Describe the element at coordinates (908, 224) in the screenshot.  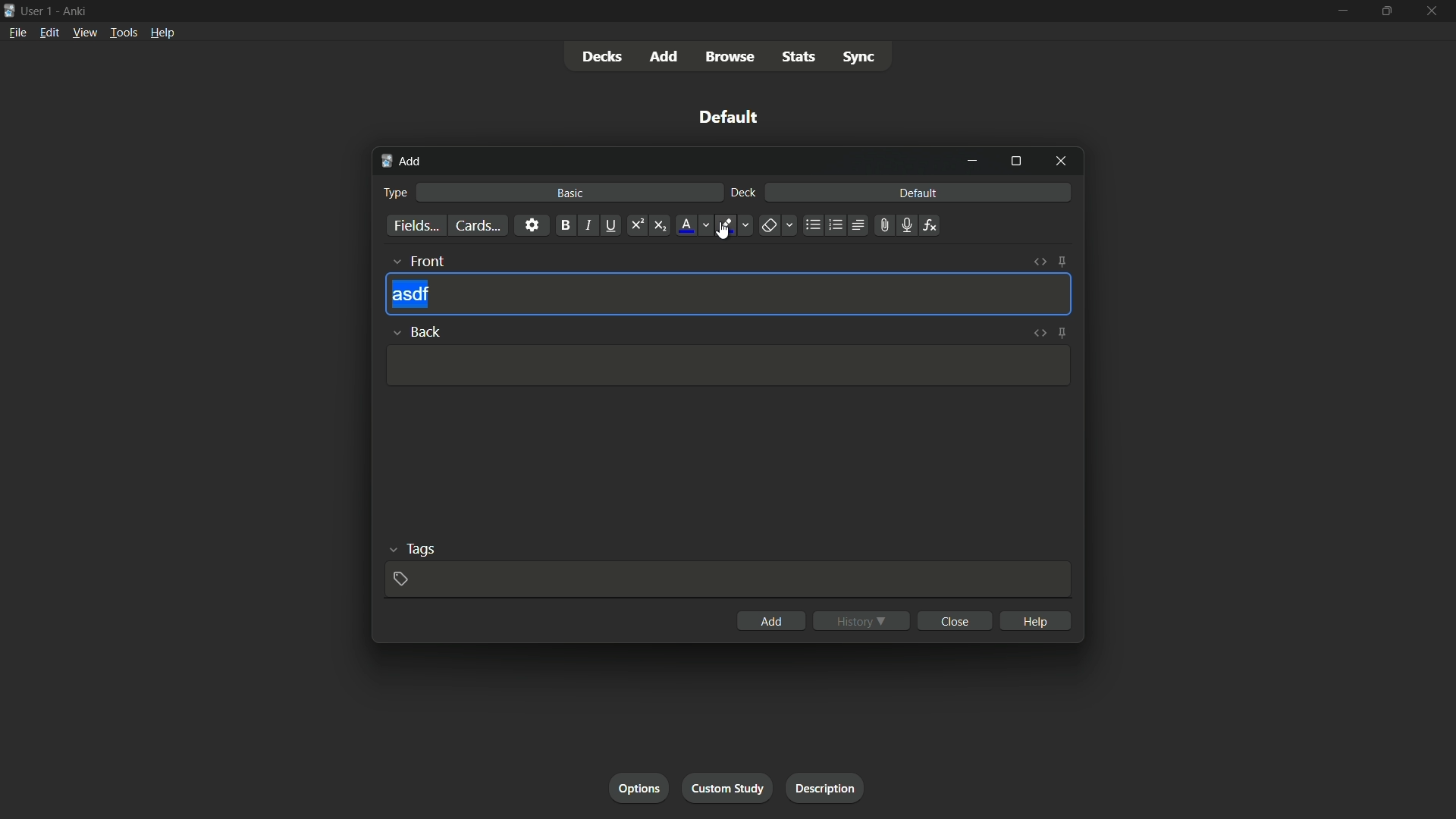
I see `record audio` at that location.